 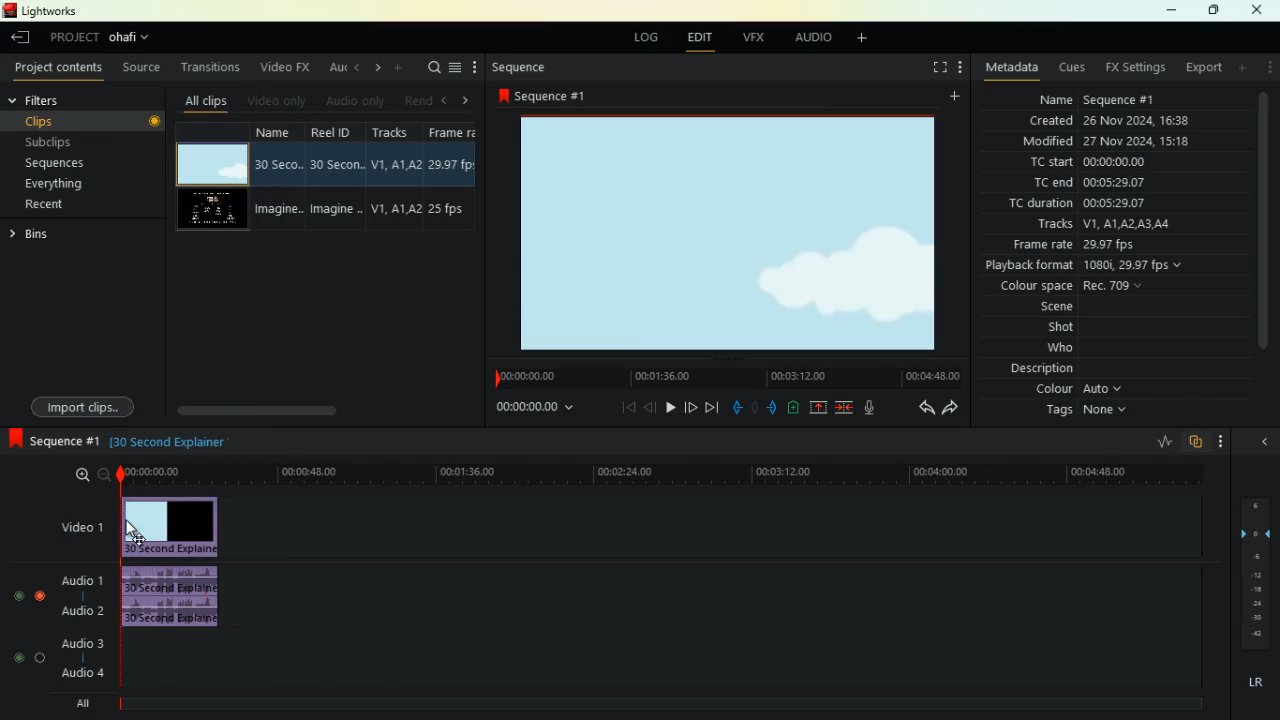 I want to click on back, so click(x=920, y=407).